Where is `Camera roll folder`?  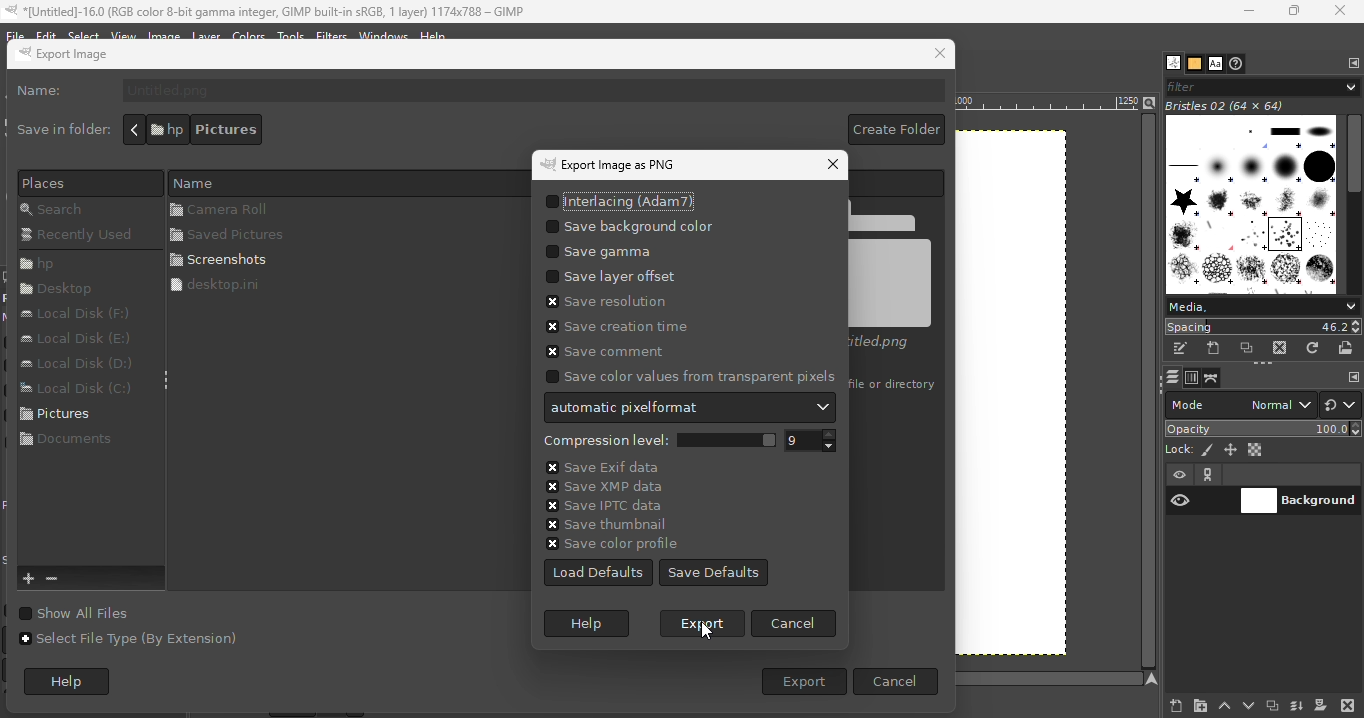
Camera roll folder is located at coordinates (343, 210).